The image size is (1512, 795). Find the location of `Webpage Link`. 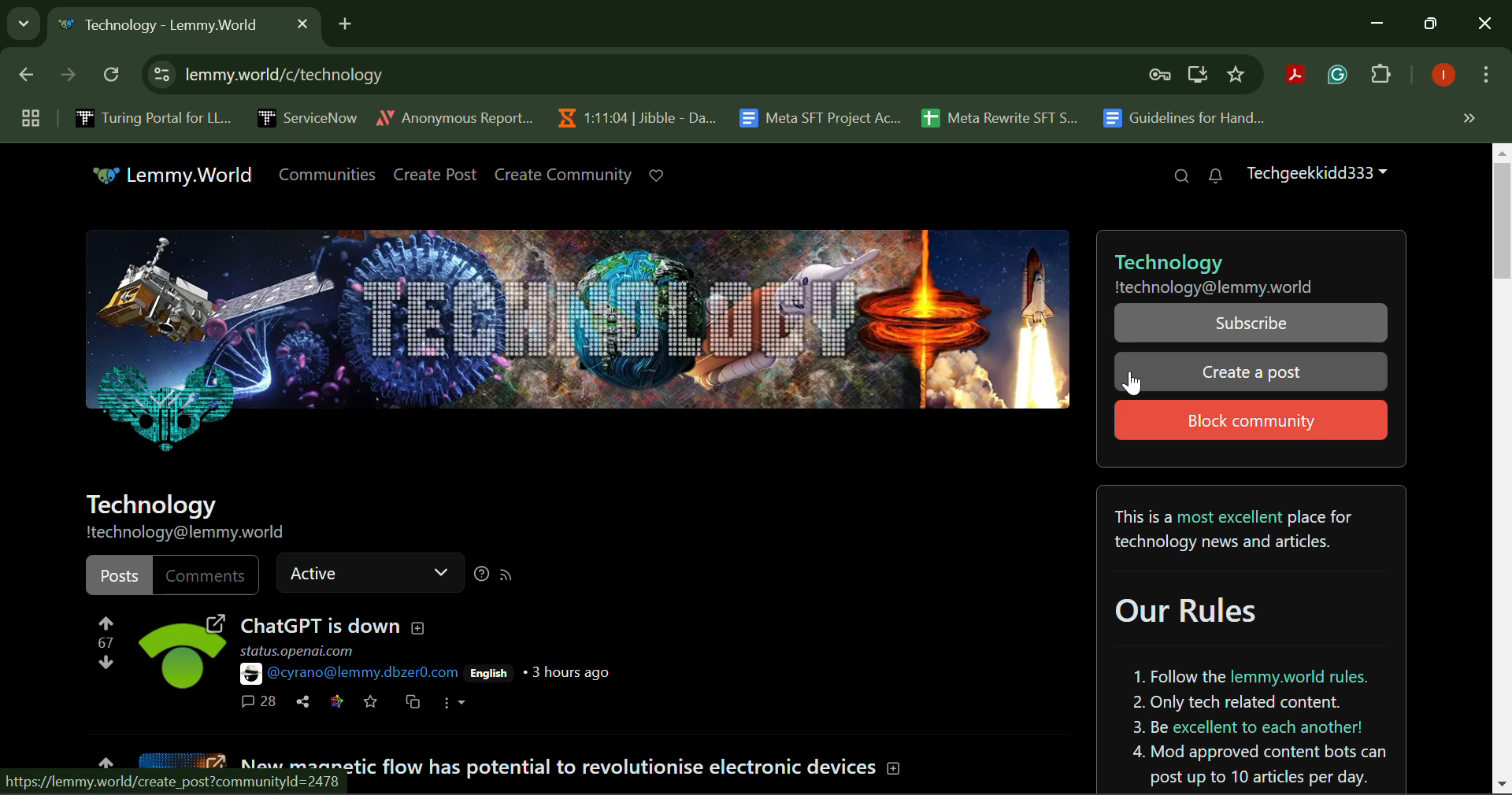

Webpage Link is located at coordinates (174, 785).